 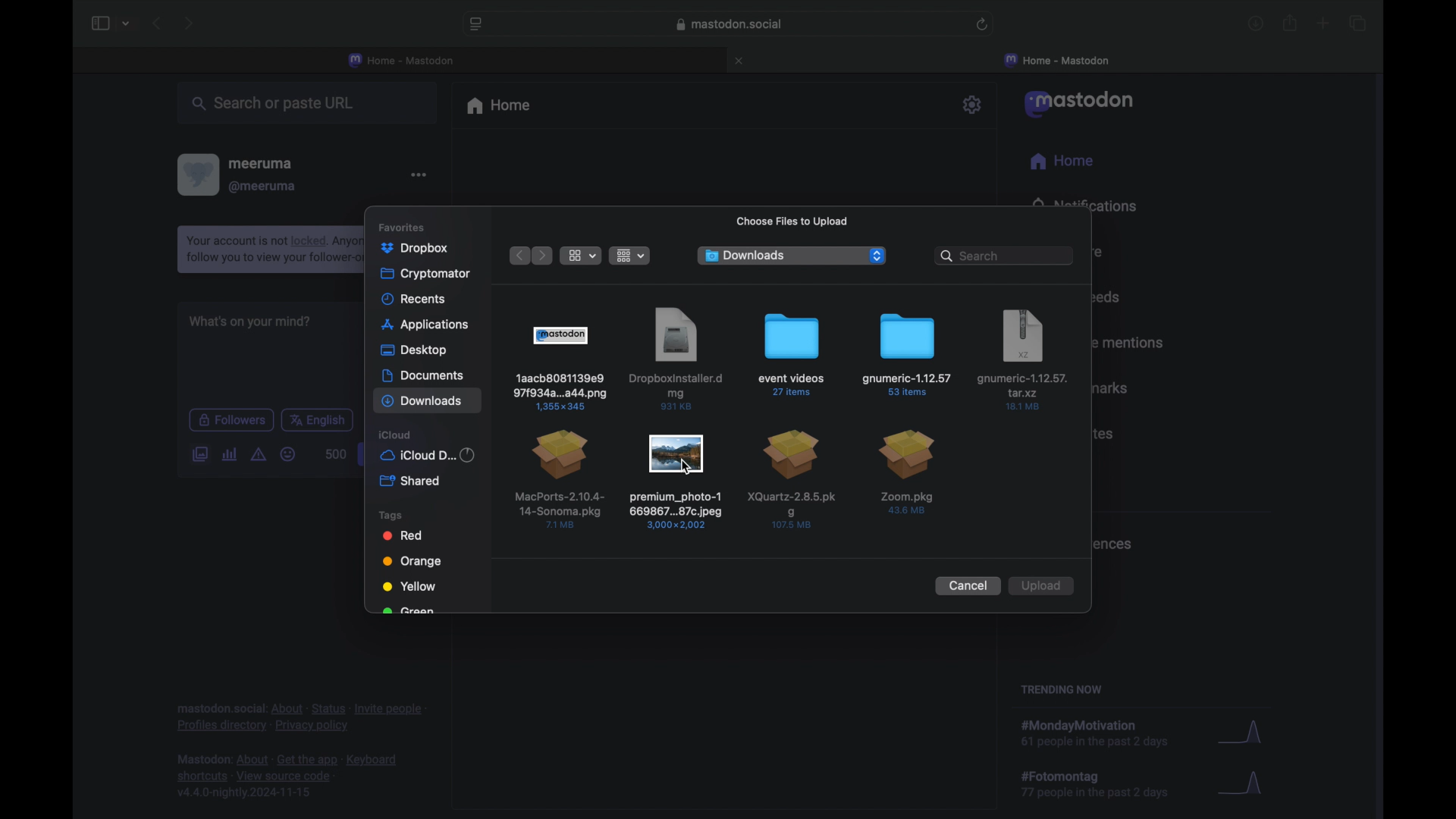 What do you see at coordinates (678, 359) in the screenshot?
I see `file` at bounding box center [678, 359].